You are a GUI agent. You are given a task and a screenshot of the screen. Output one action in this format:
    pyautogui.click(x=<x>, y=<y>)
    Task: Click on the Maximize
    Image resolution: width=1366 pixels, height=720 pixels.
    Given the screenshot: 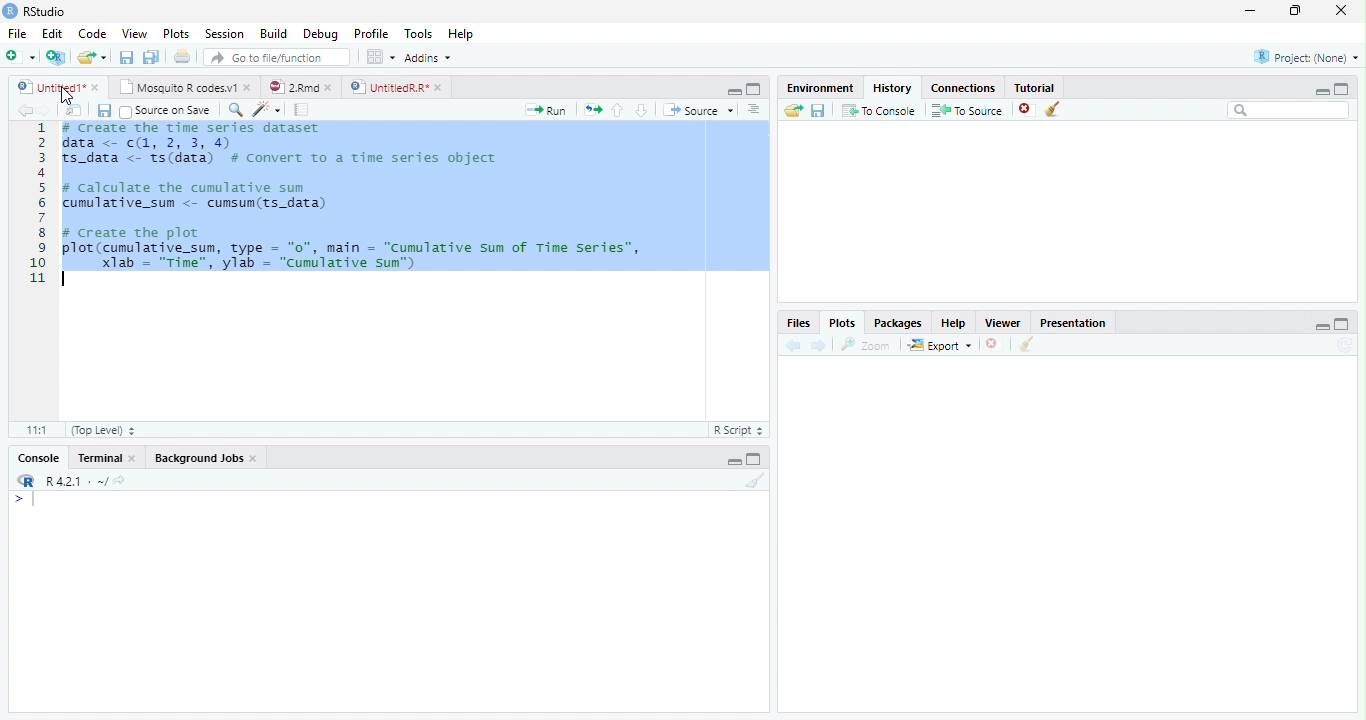 What is the action you would take?
    pyautogui.click(x=756, y=460)
    